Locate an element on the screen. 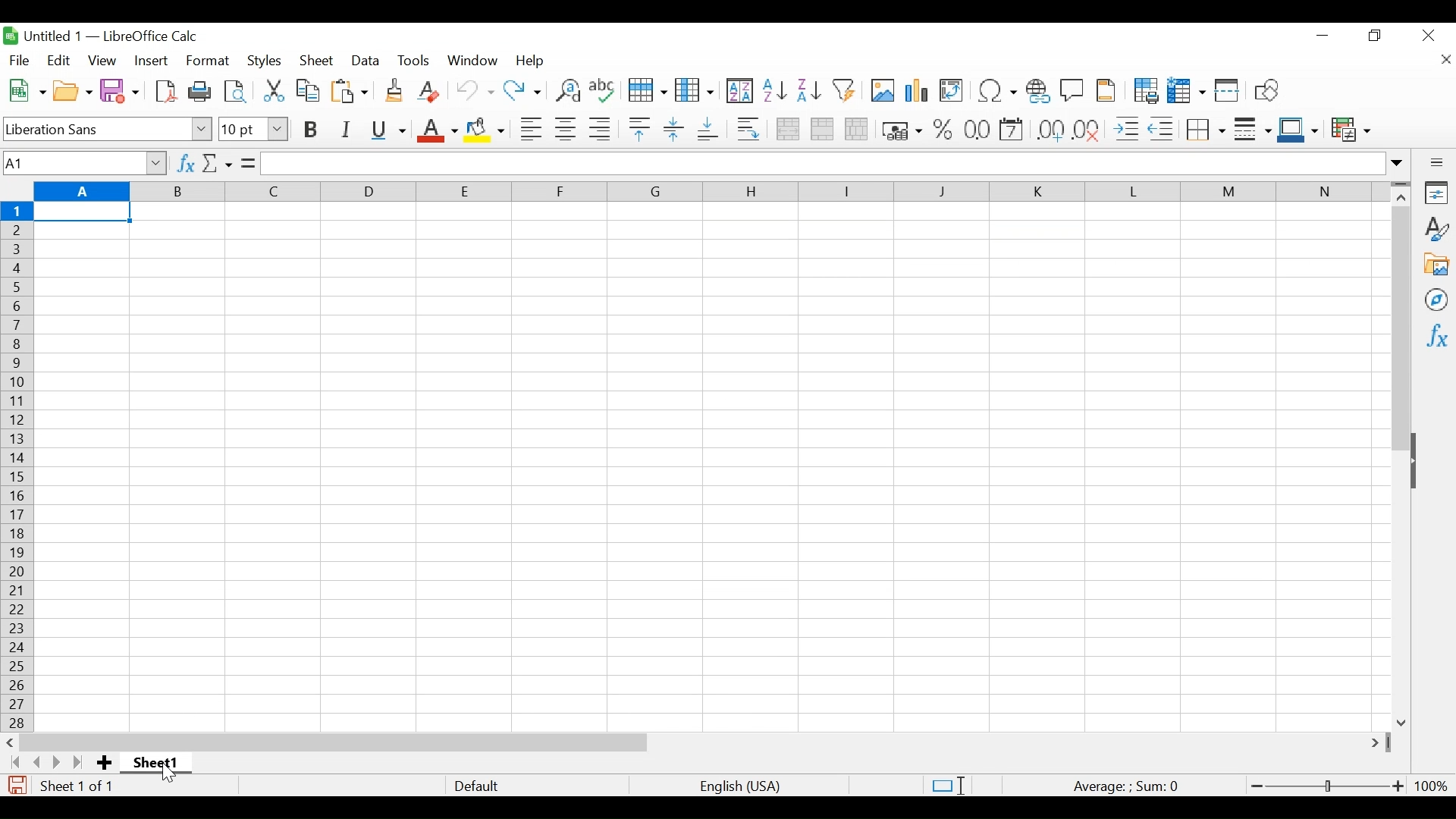 This screenshot has height=819, width=1456. Insert Special Characters is located at coordinates (996, 91).